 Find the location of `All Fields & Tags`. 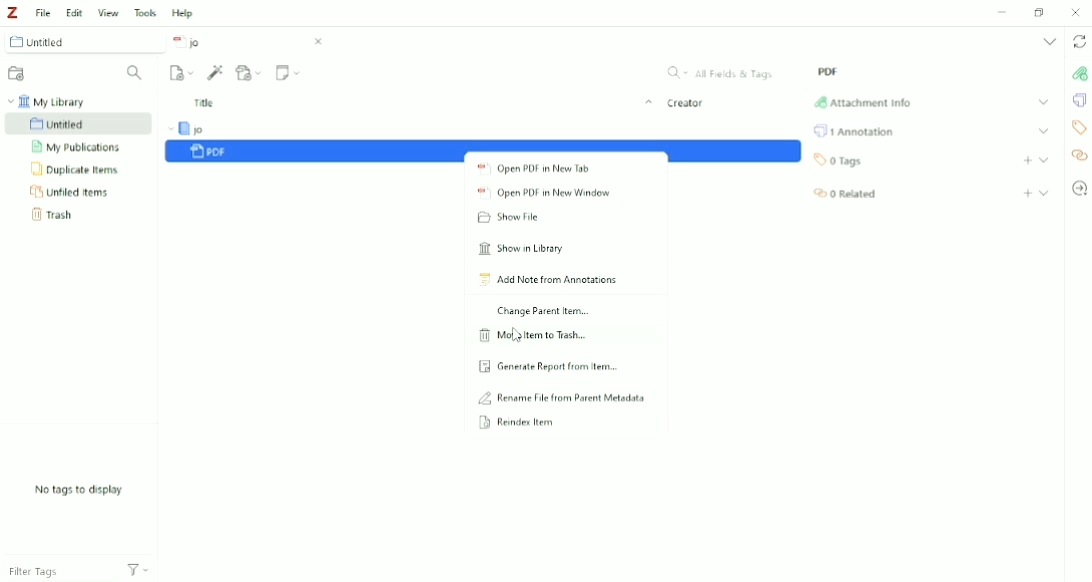

All Fields & Tags is located at coordinates (723, 71).